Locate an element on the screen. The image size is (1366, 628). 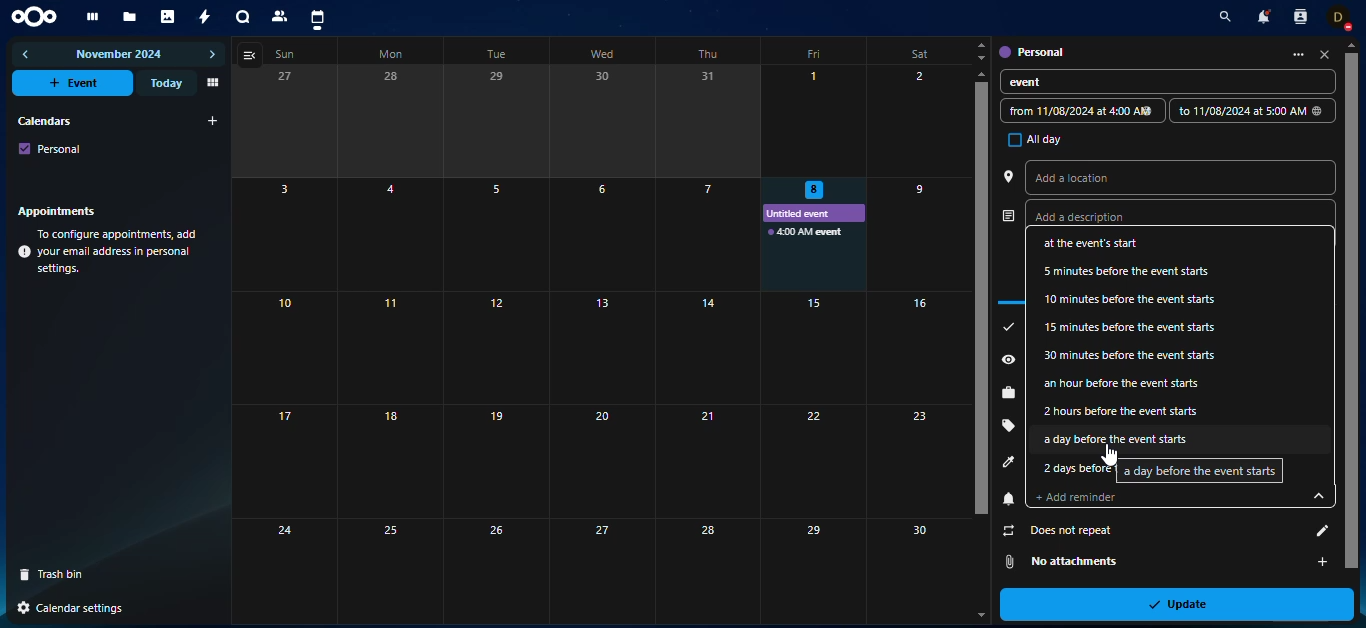
appointments is located at coordinates (62, 210).